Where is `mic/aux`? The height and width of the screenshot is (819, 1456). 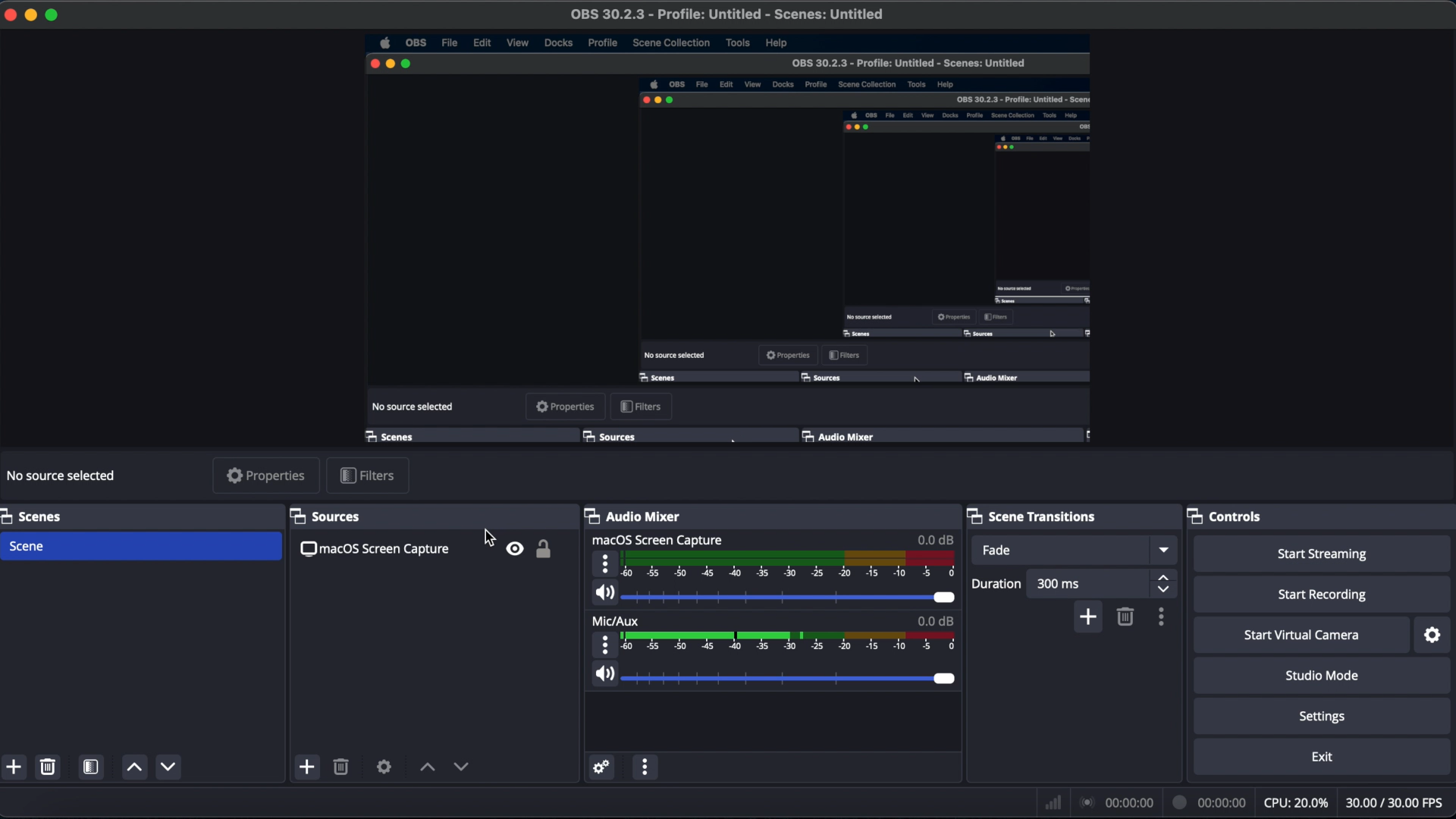 mic/aux is located at coordinates (617, 620).